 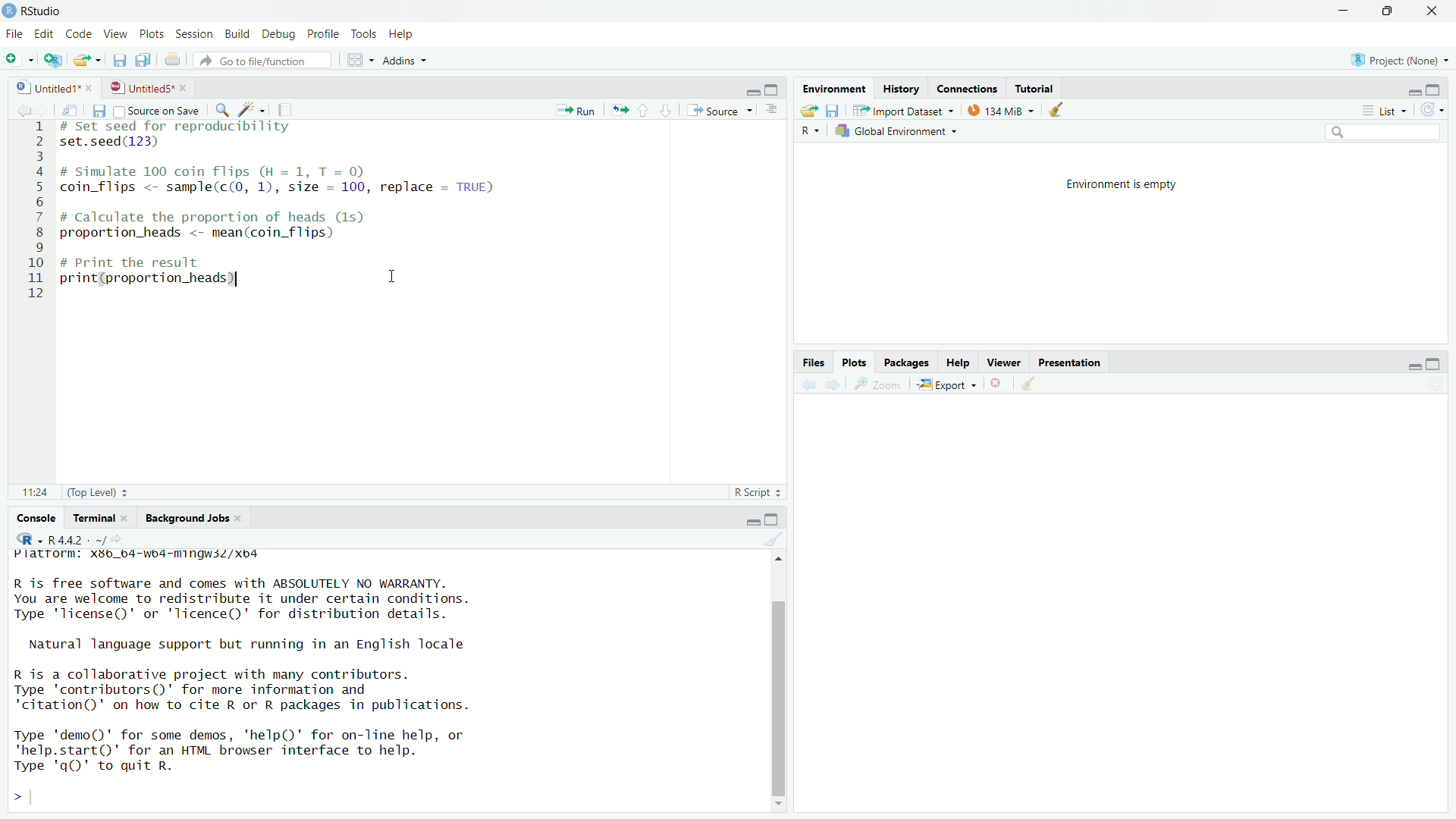 I want to click on code tools, so click(x=253, y=110).